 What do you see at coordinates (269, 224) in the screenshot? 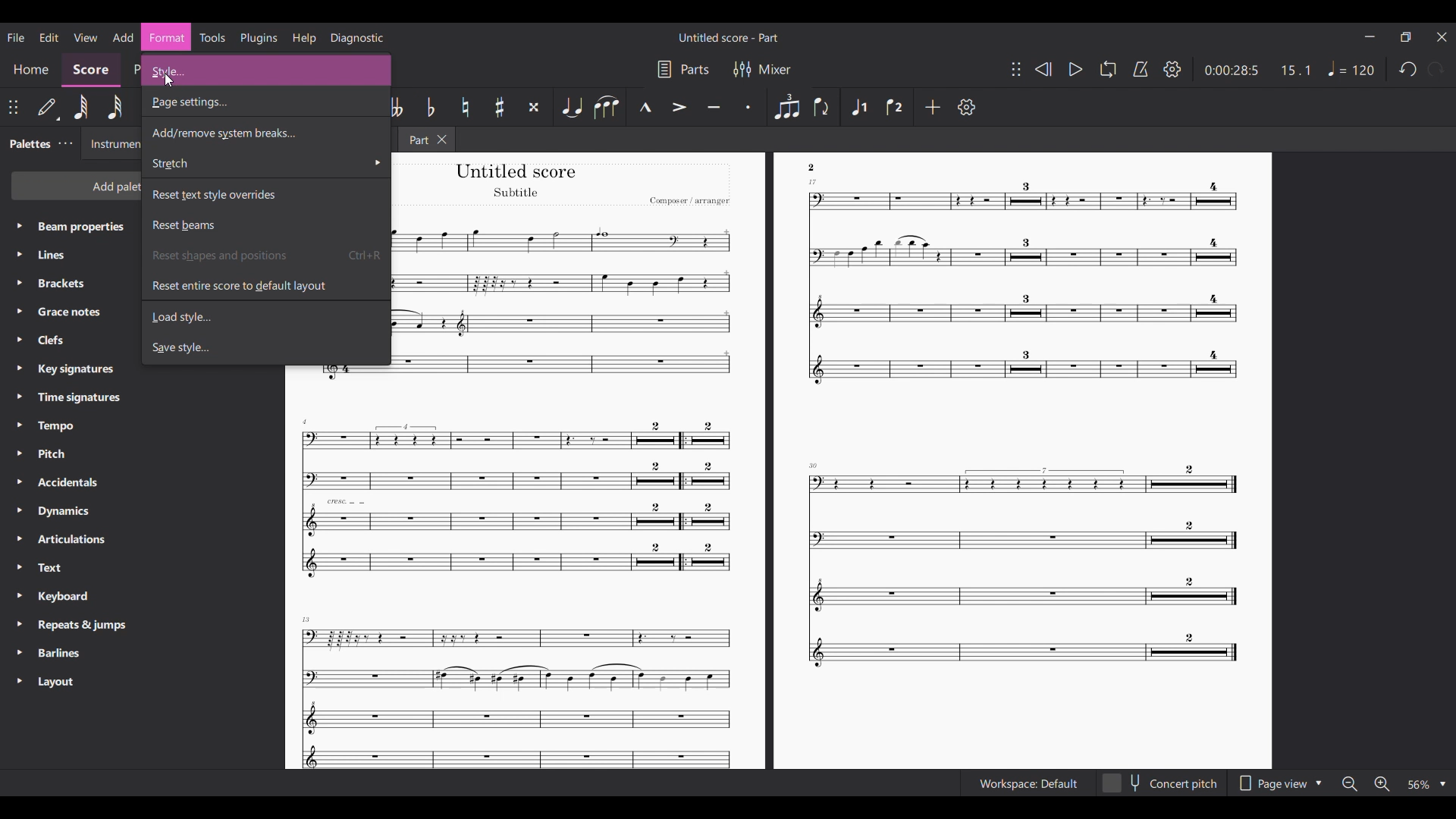
I see `Reset beams` at bounding box center [269, 224].